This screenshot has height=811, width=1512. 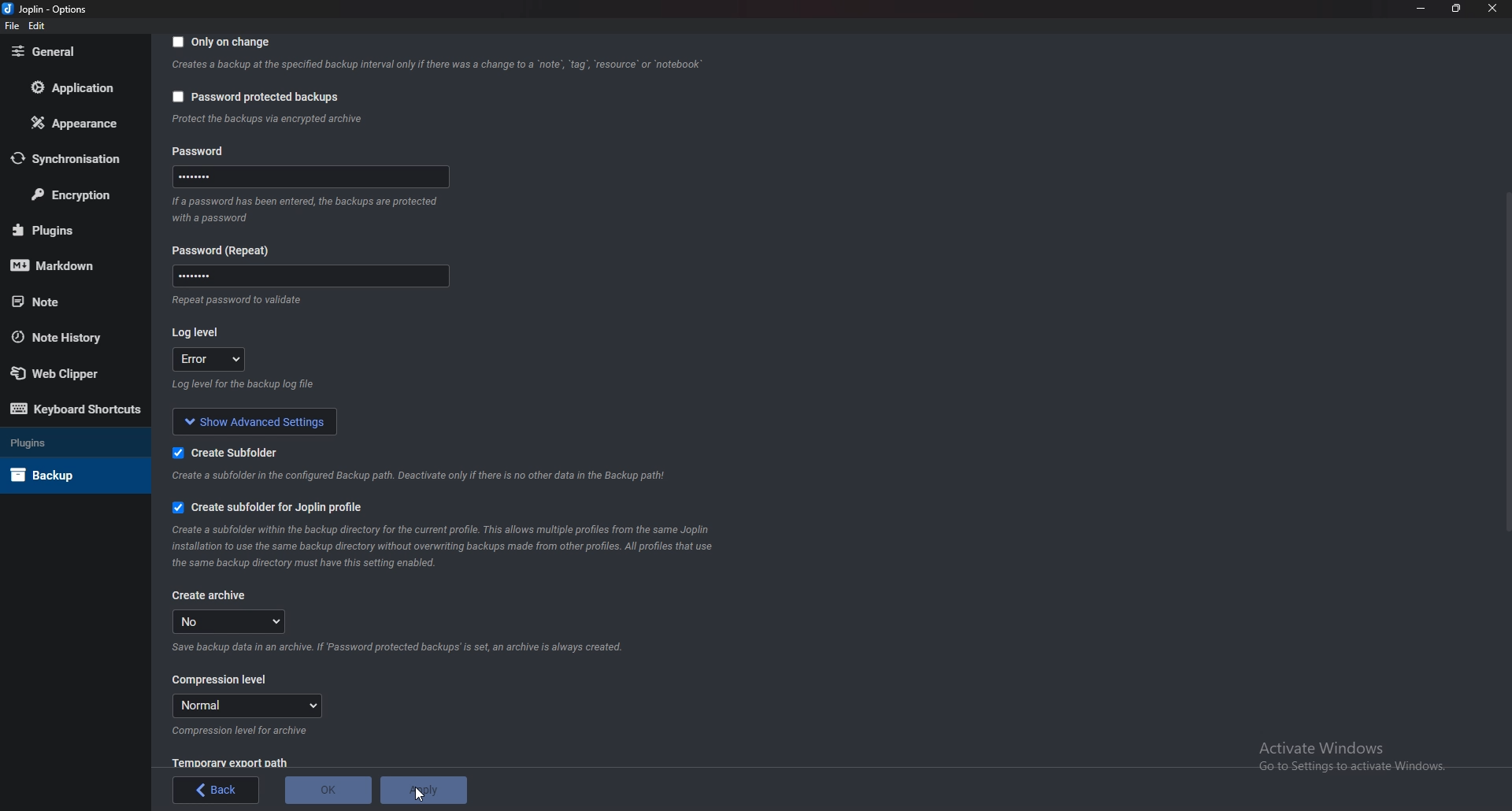 I want to click on Info on subfolderf, so click(x=421, y=476).